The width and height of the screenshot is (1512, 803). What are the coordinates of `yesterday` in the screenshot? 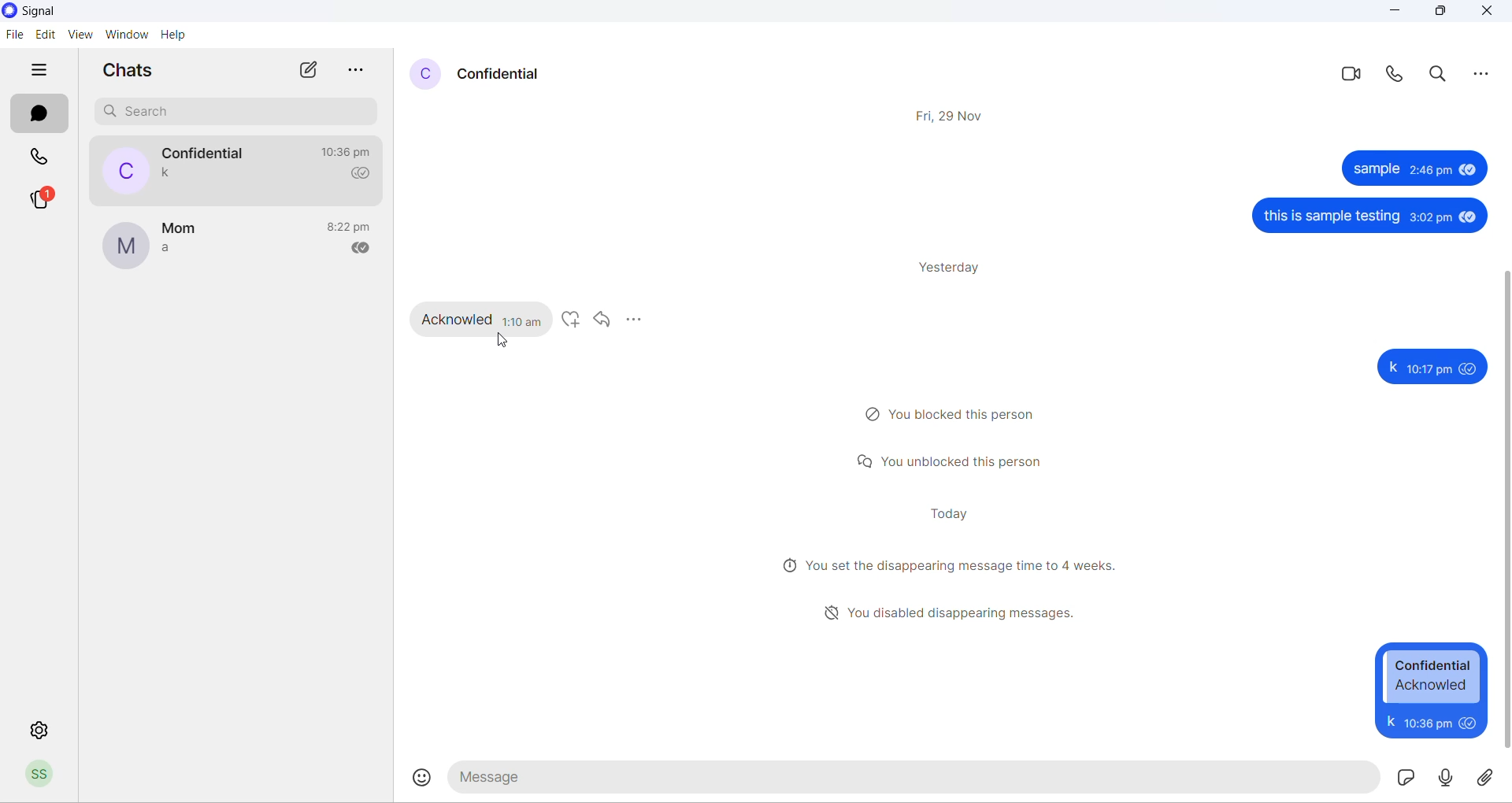 It's located at (957, 269).